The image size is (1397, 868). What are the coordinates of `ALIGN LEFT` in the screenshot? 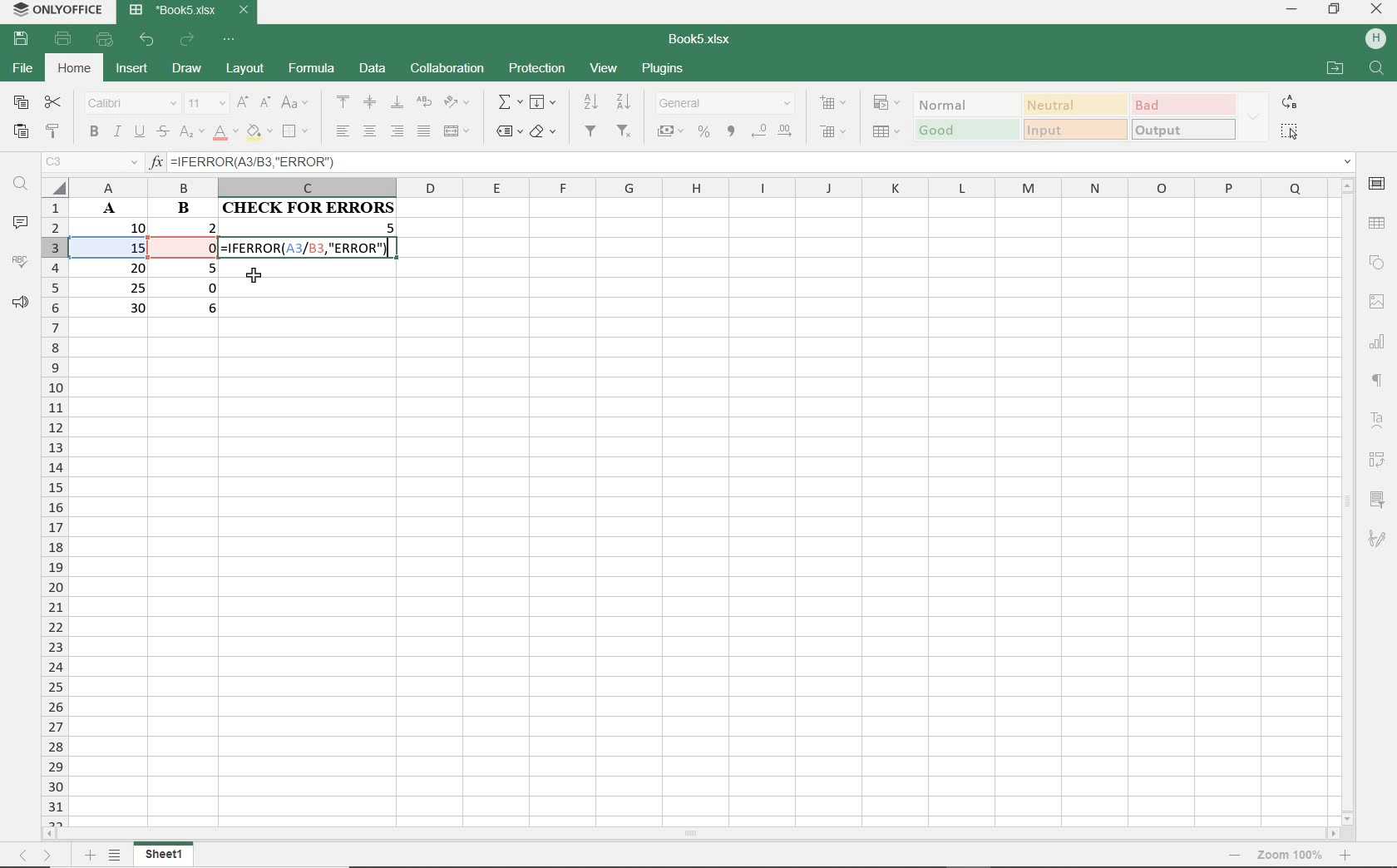 It's located at (343, 131).